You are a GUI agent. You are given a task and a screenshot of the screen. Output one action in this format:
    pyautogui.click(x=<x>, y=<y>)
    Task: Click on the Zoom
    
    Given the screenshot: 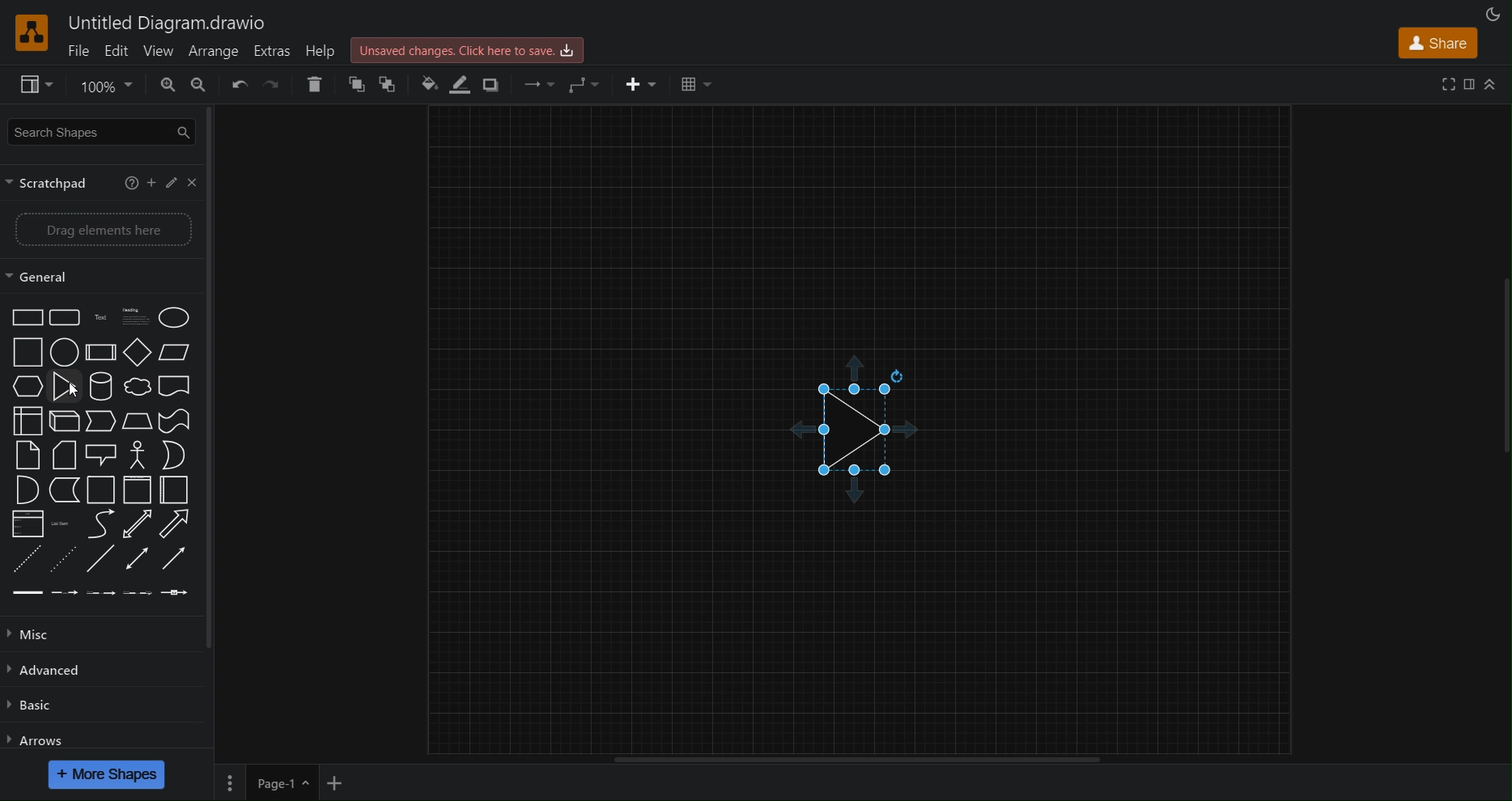 What is the action you would take?
    pyautogui.click(x=108, y=85)
    